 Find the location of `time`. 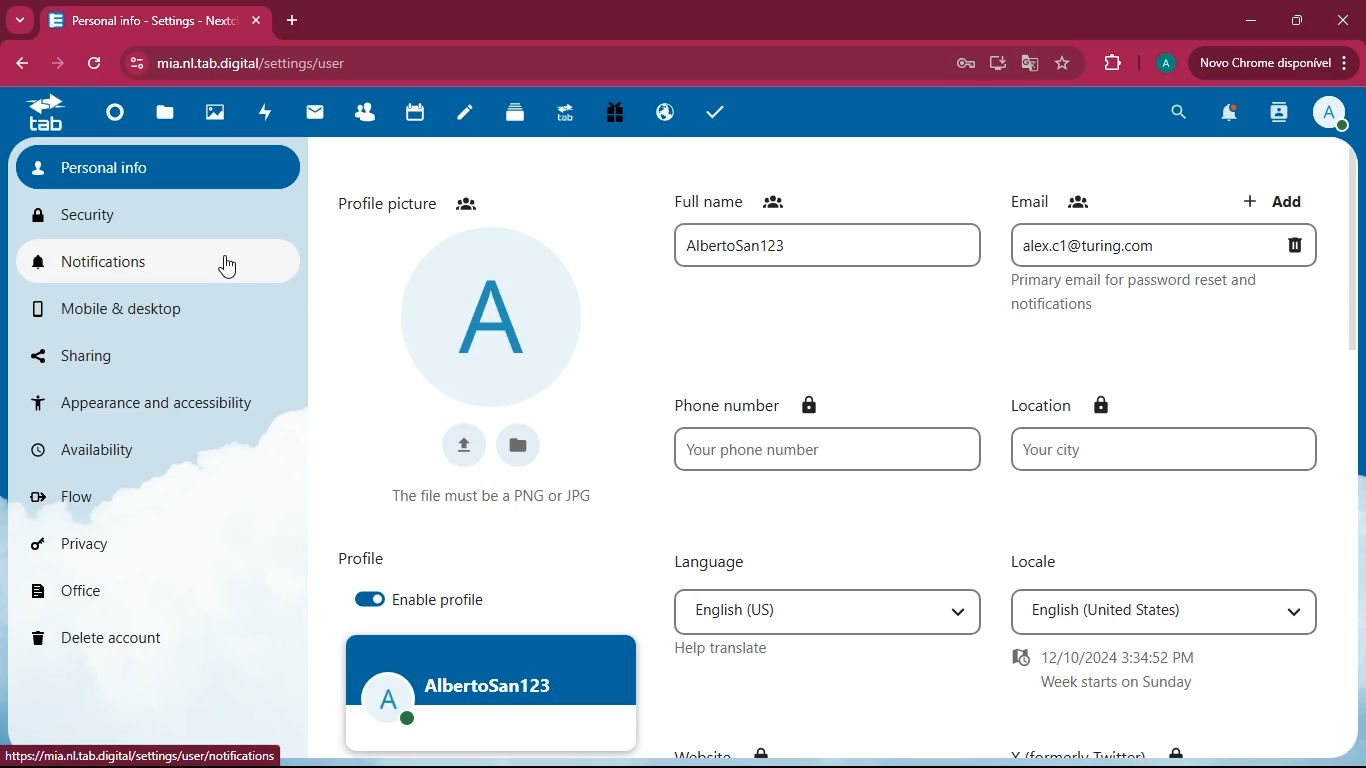

time is located at coordinates (1132, 670).